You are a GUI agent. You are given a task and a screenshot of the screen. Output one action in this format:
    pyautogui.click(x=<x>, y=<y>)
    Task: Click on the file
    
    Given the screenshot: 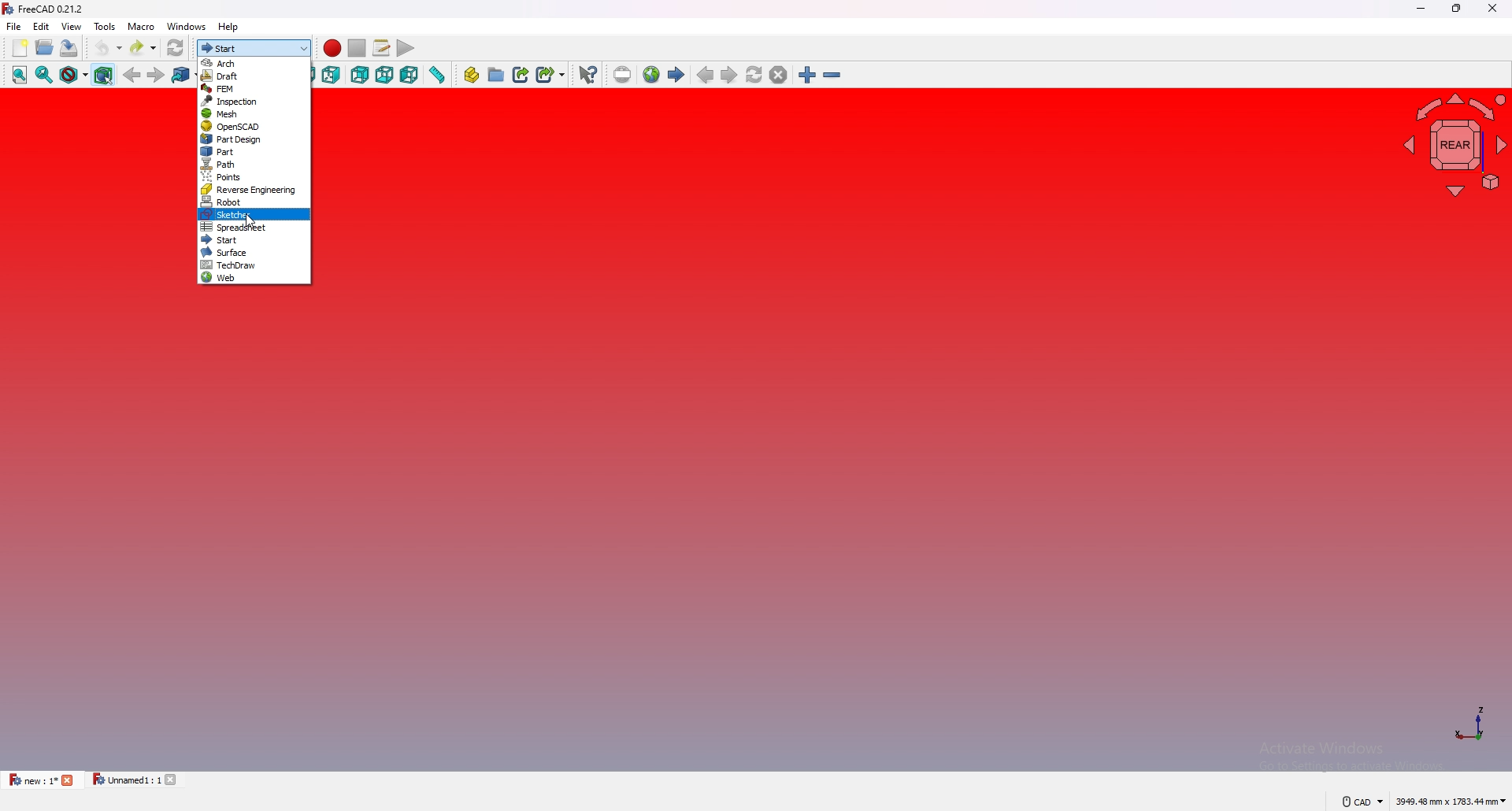 What is the action you would take?
    pyautogui.click(x=14, y=26)
    